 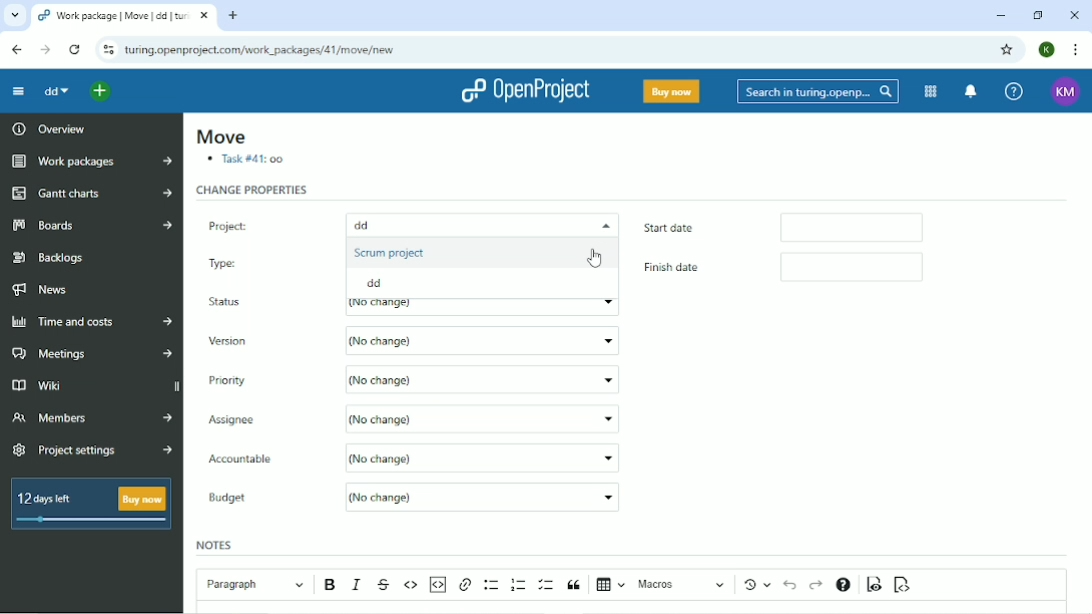 What do you see at coordinates (870, 269) in the screenshot?
I see `empty box` at bounding box center [870, 269].